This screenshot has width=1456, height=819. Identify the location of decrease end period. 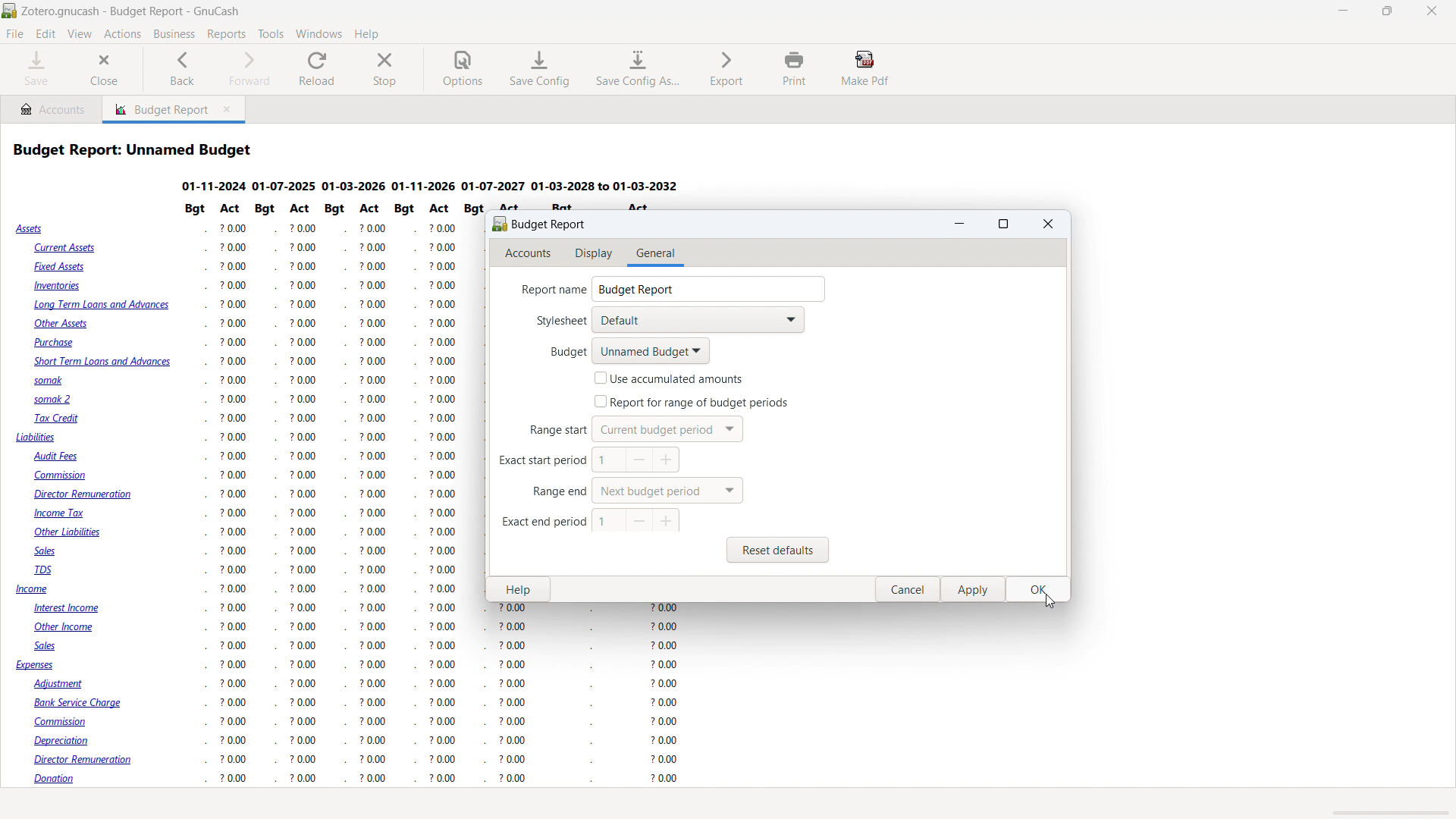
(639, 520).